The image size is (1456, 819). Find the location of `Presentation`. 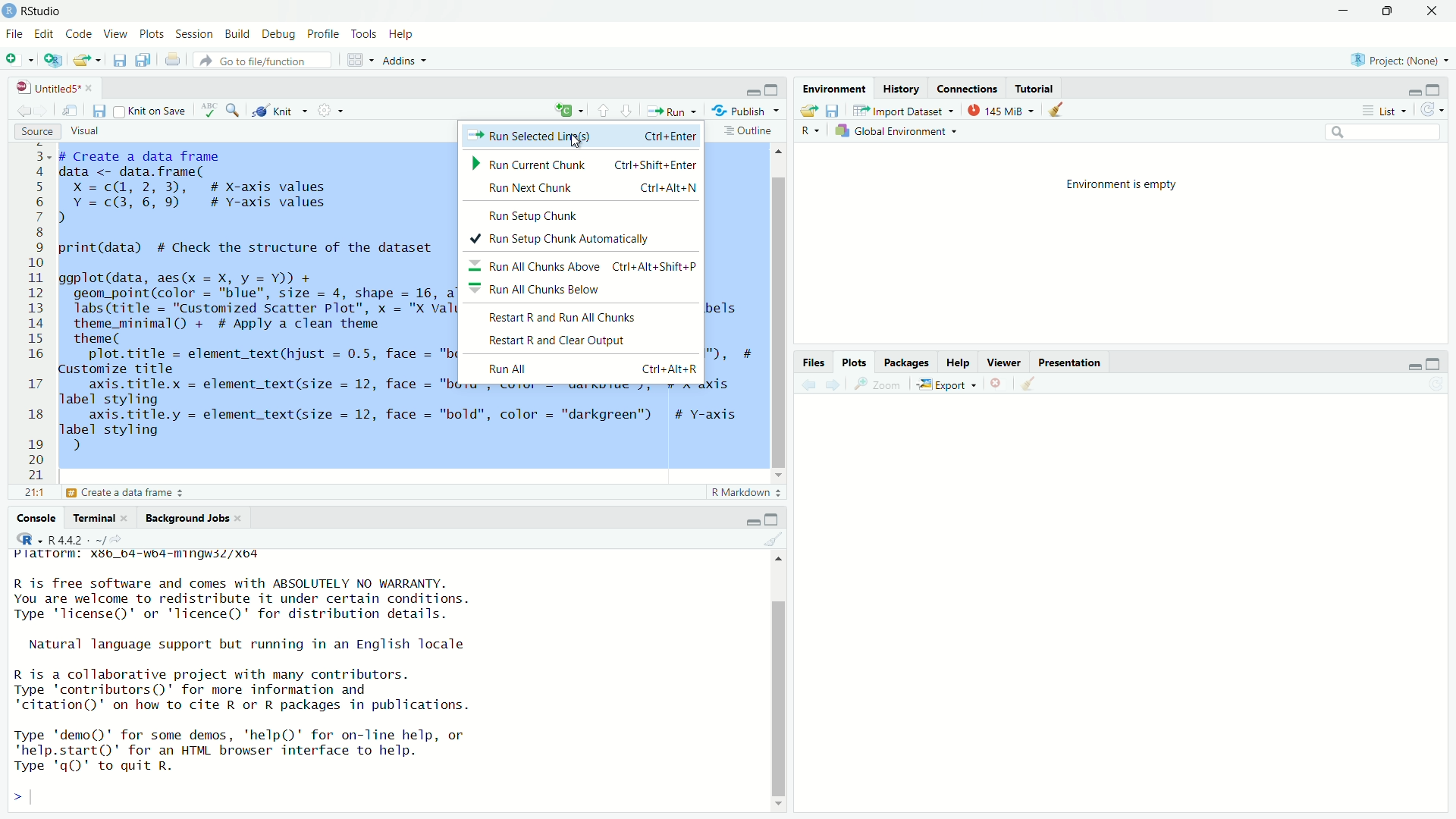

Presentation is located at coordinates (1066, 365).